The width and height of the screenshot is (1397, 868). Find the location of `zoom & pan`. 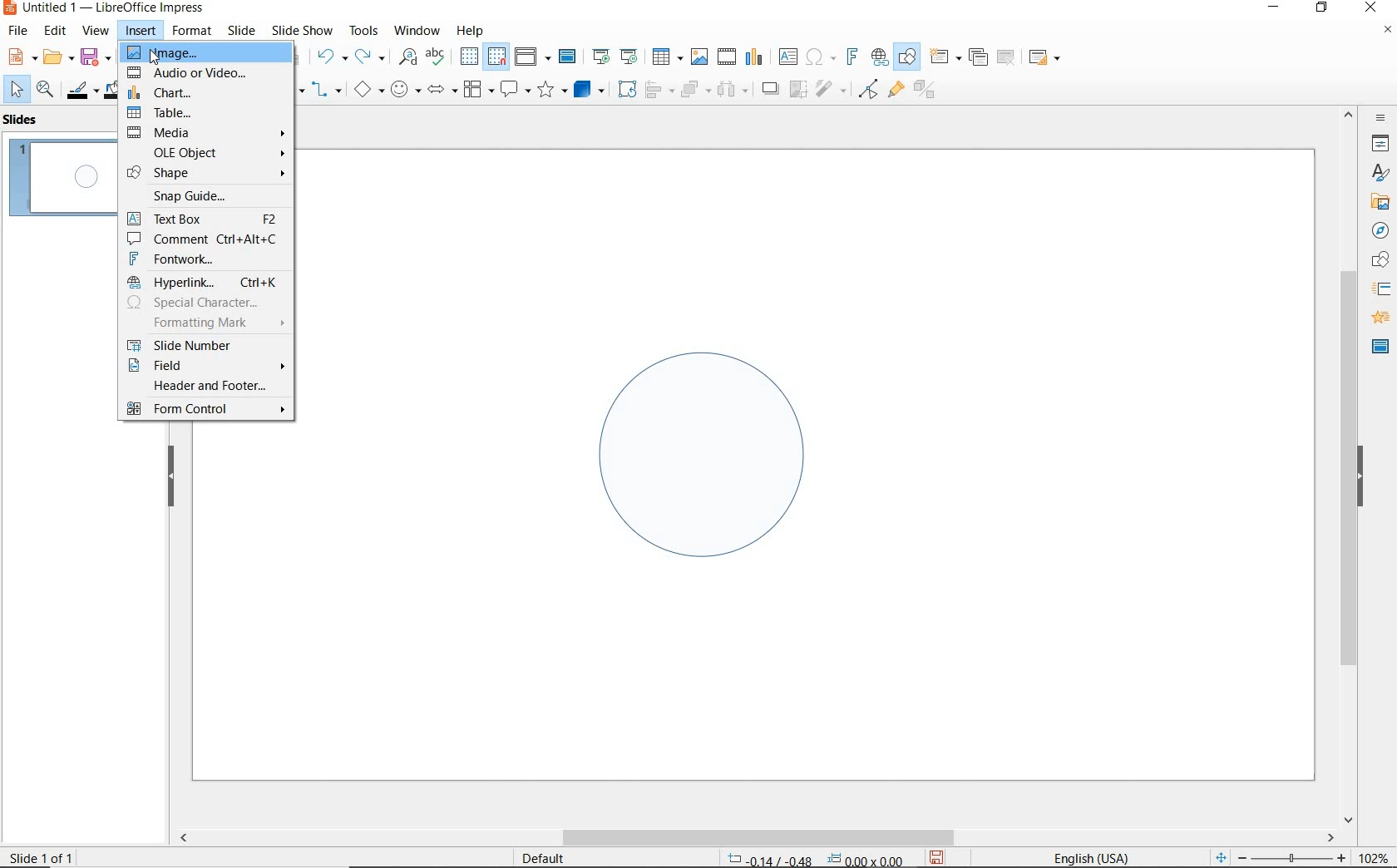

zoom & pan is located at coordinates (47, 91).